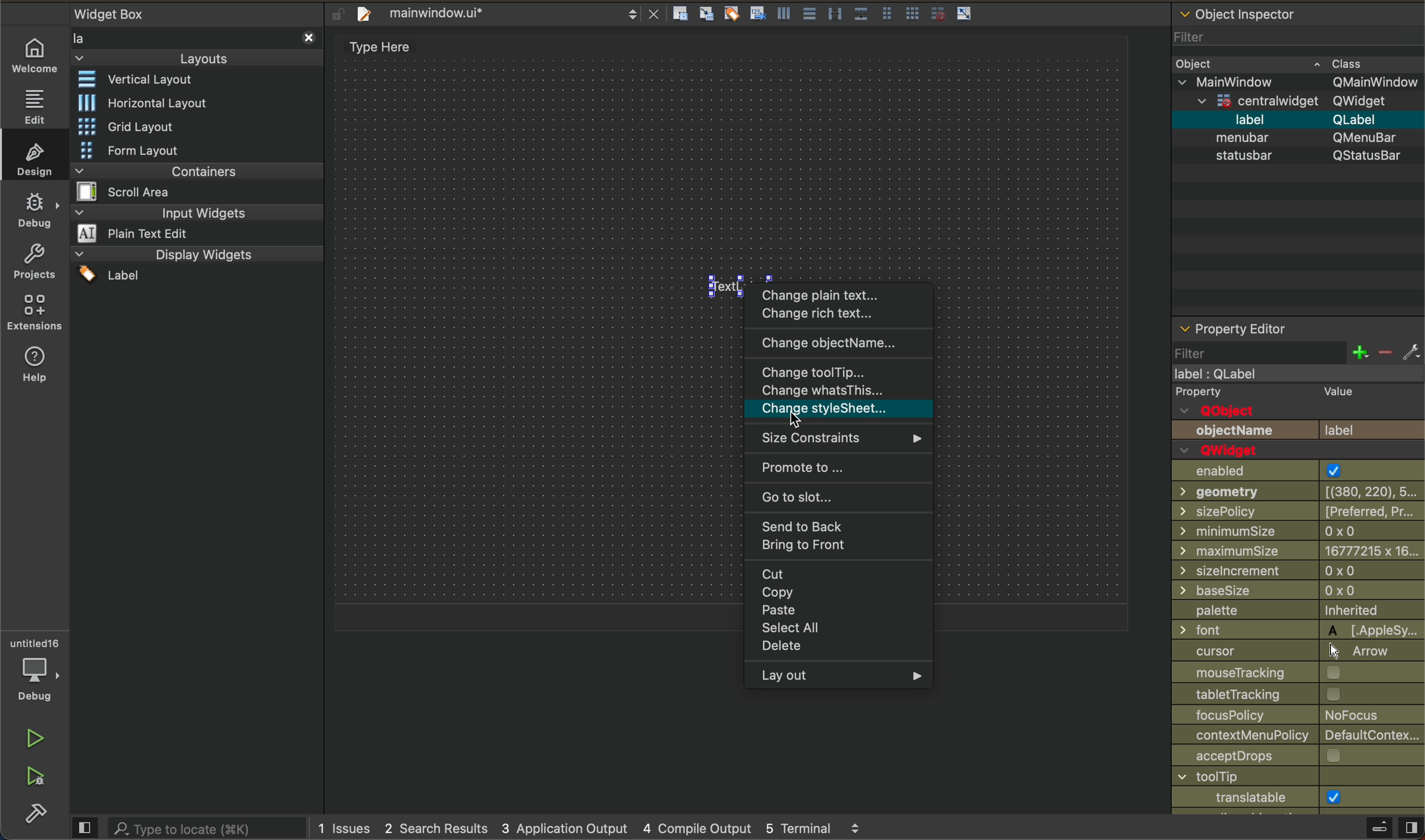  Describe the element at coordinates (143, 102) in the screenshot. I see `horizontal ` at that location.